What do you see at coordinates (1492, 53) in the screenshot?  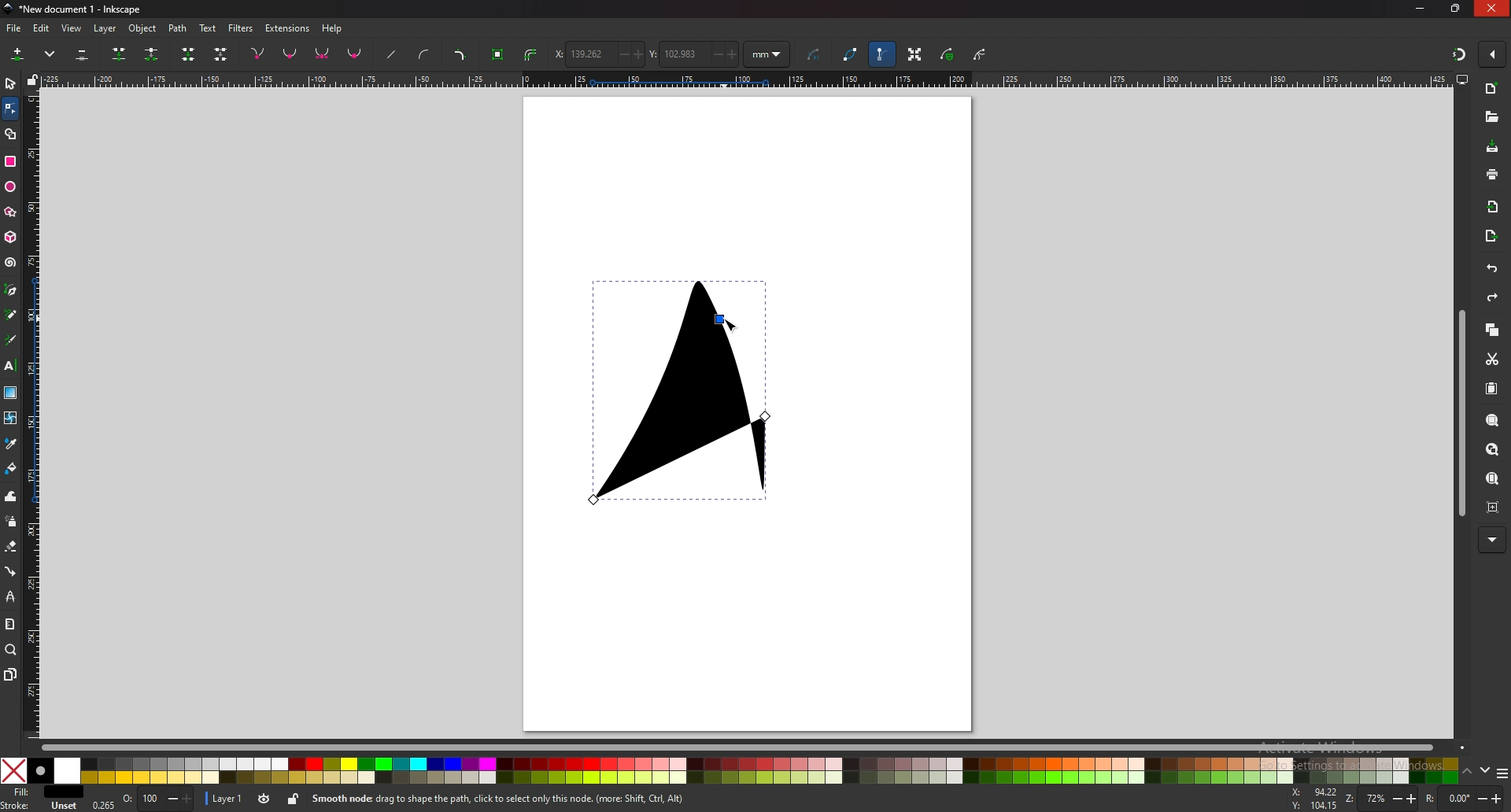 I see `enable snapping` at bounding box center [1492, 53].